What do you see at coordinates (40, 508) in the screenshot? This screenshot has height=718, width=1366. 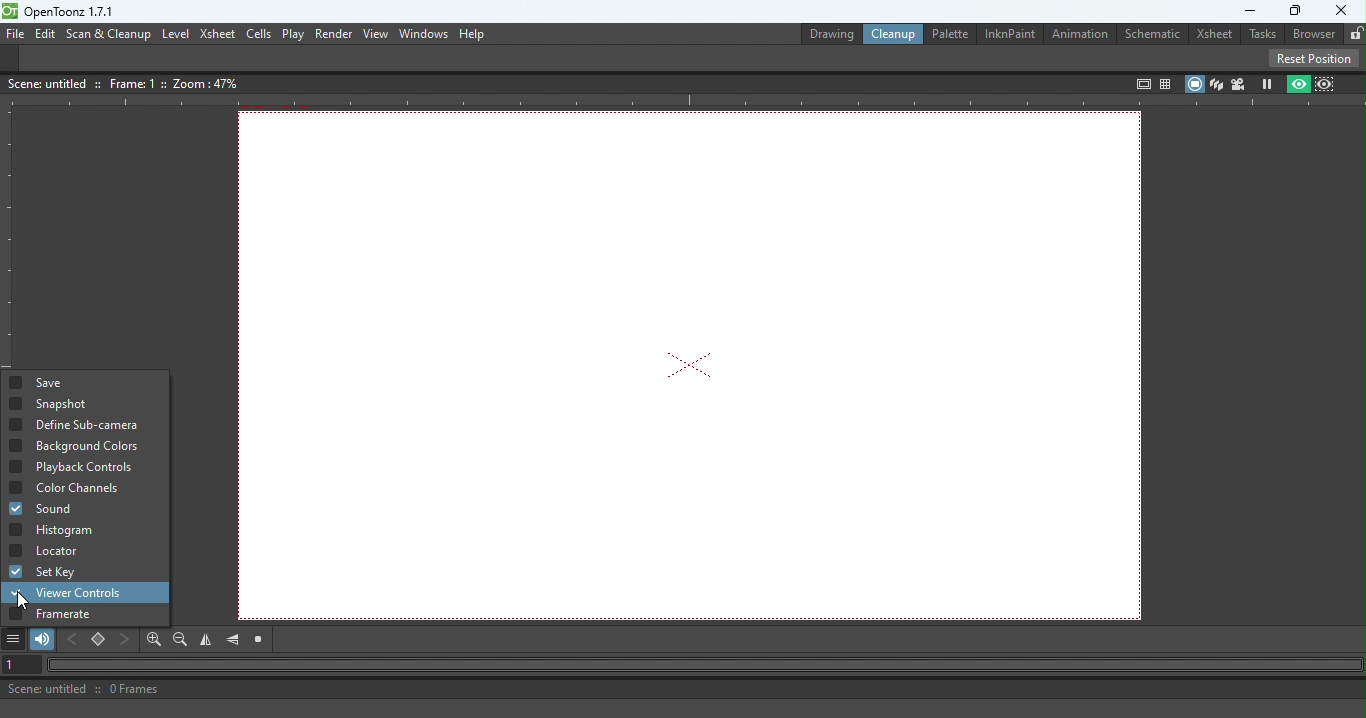 I see `Sound` at bounding box center [40, 508].